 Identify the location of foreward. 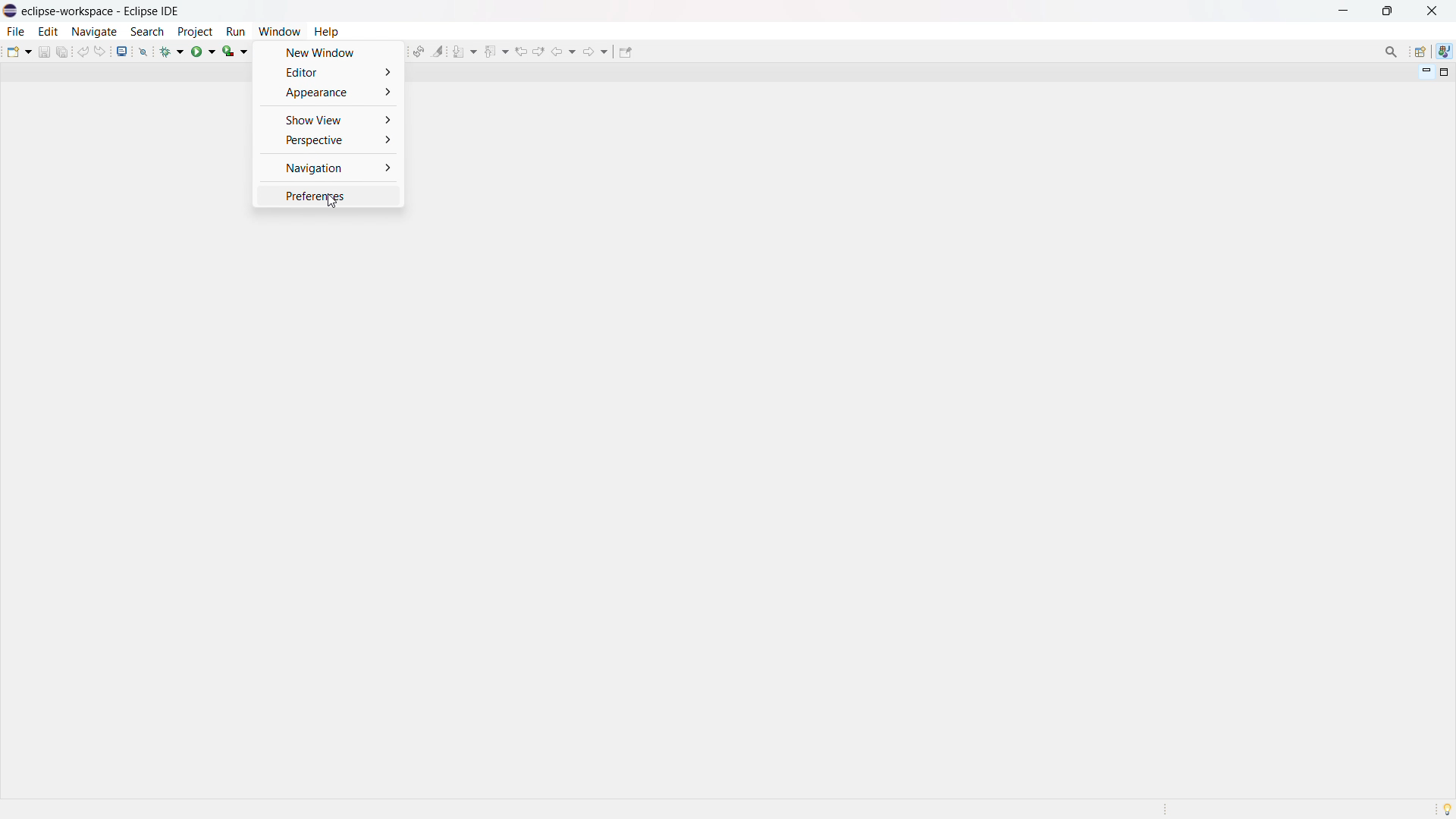
(596, 51).